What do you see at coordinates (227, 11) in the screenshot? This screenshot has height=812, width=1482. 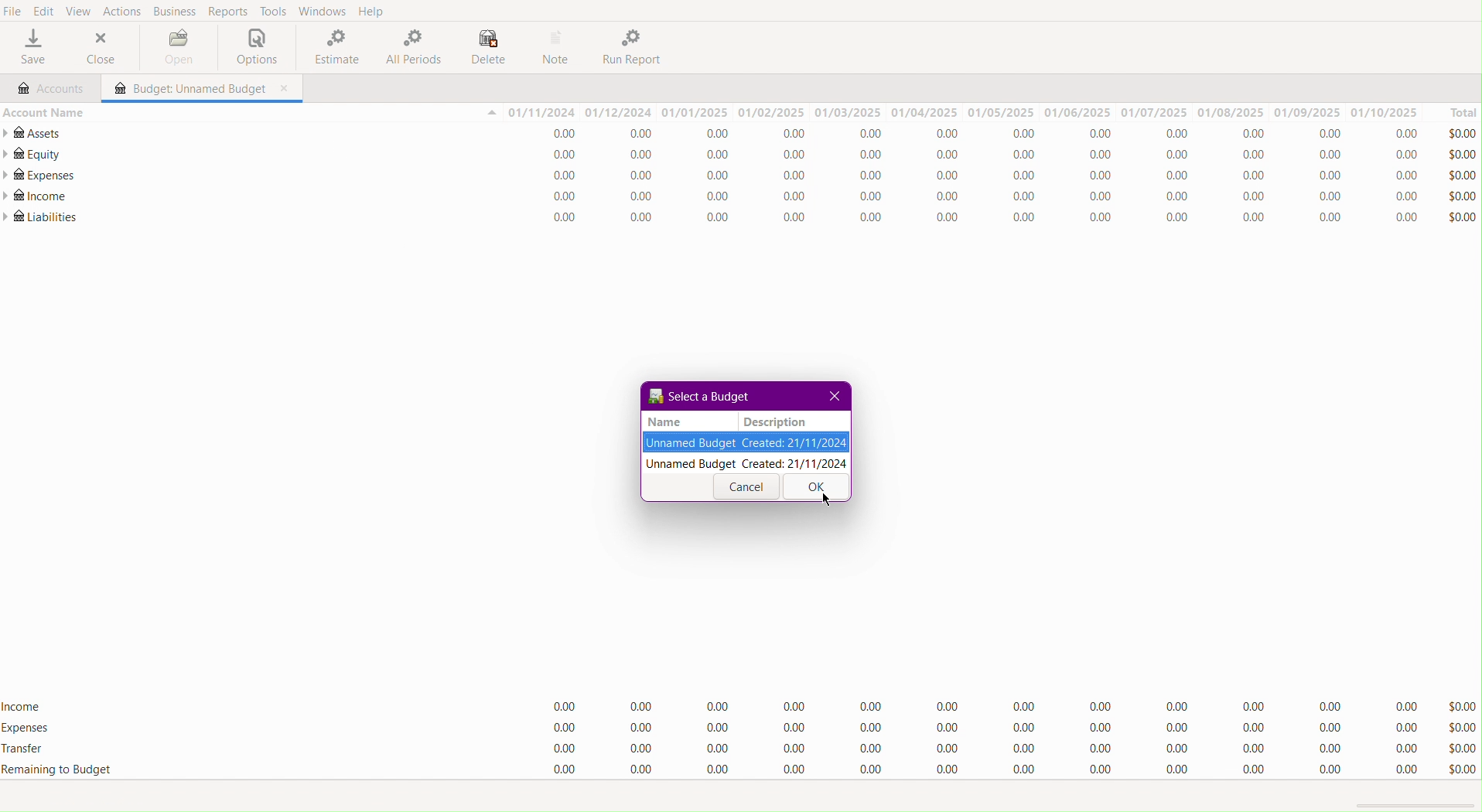 I see `Reports` at bounding box center [227, 11].